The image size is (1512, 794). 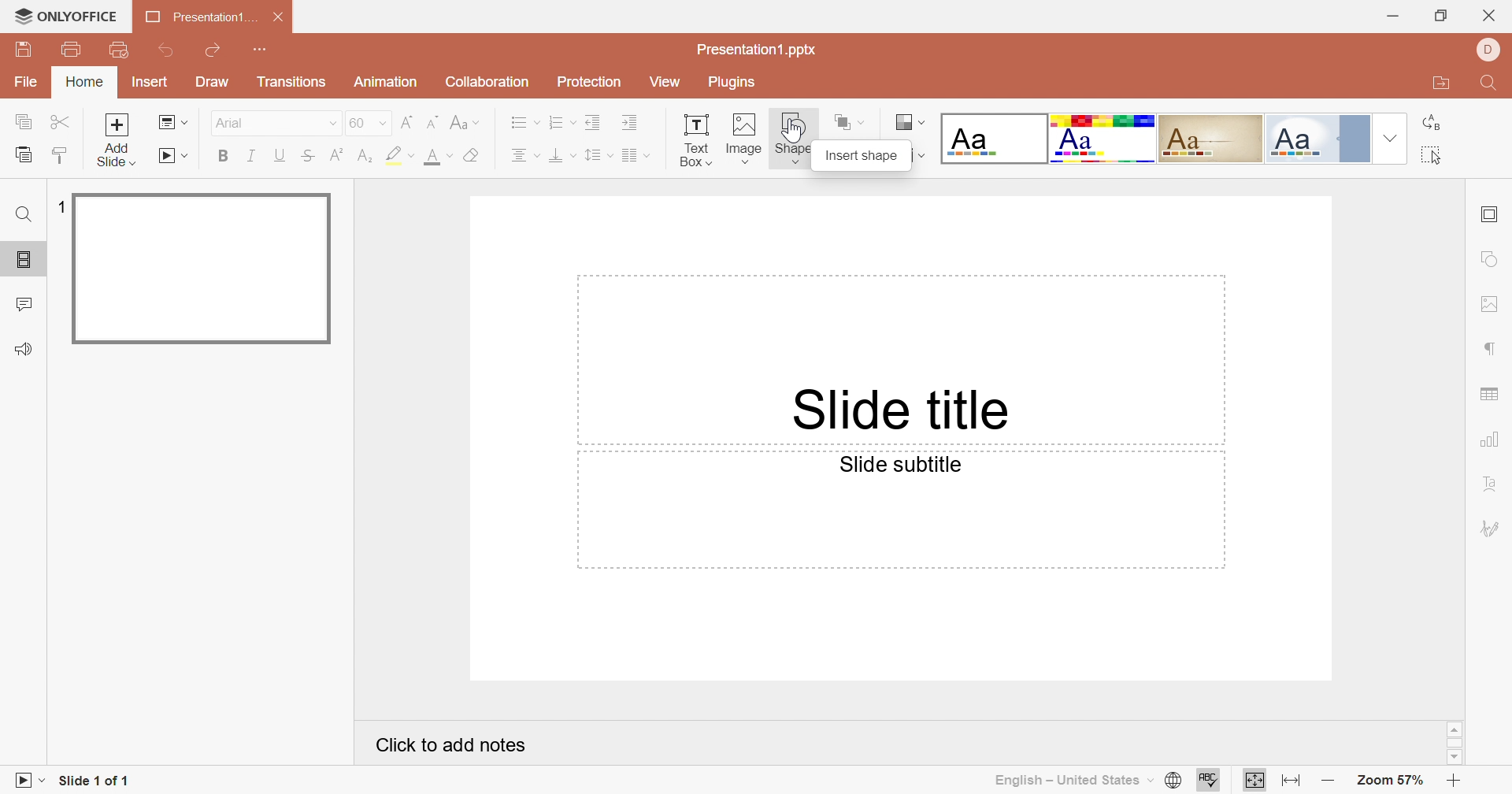 What do you see at coordinates (91, 781) in the screenshot?
I see `Slide 1 of 1` at bounding box center [91, 781].